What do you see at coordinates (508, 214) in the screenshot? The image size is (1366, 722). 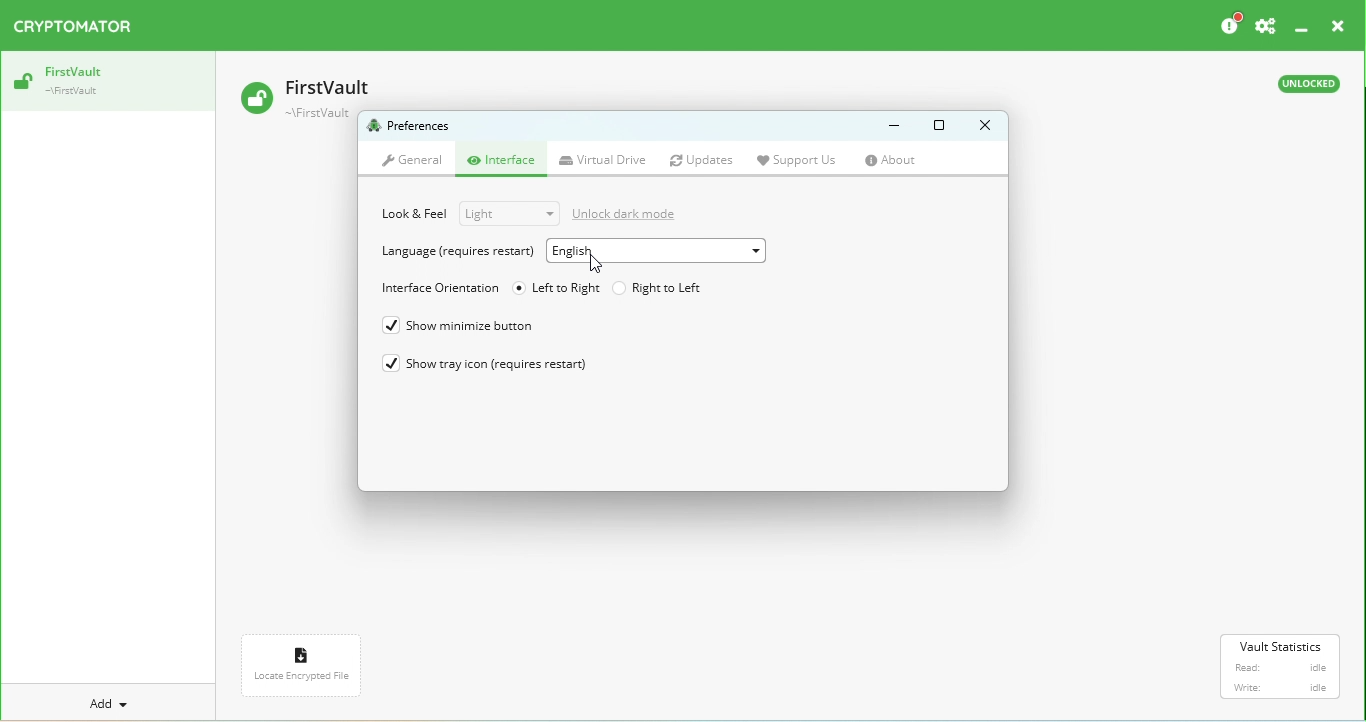 I see `Drop down menu` at bounding box center [508, 214].